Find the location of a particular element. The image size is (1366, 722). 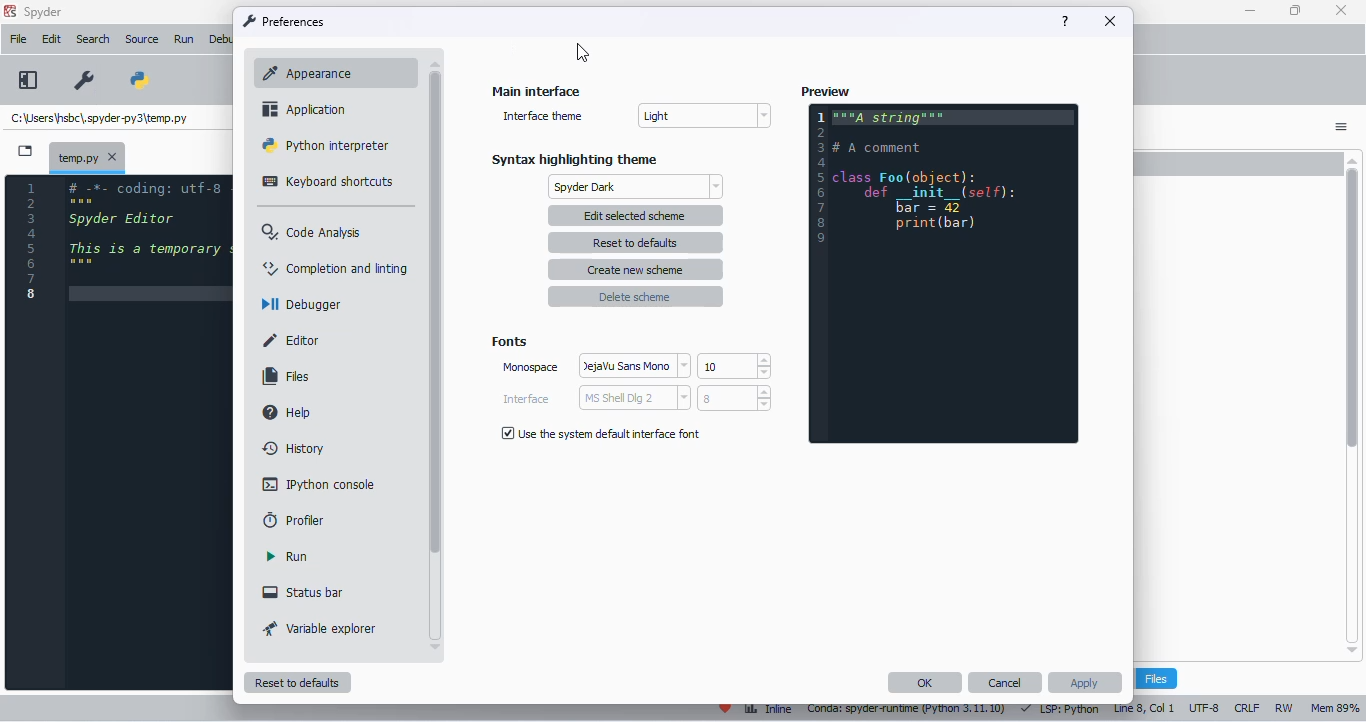

OK is located at coordinates (926, 683).